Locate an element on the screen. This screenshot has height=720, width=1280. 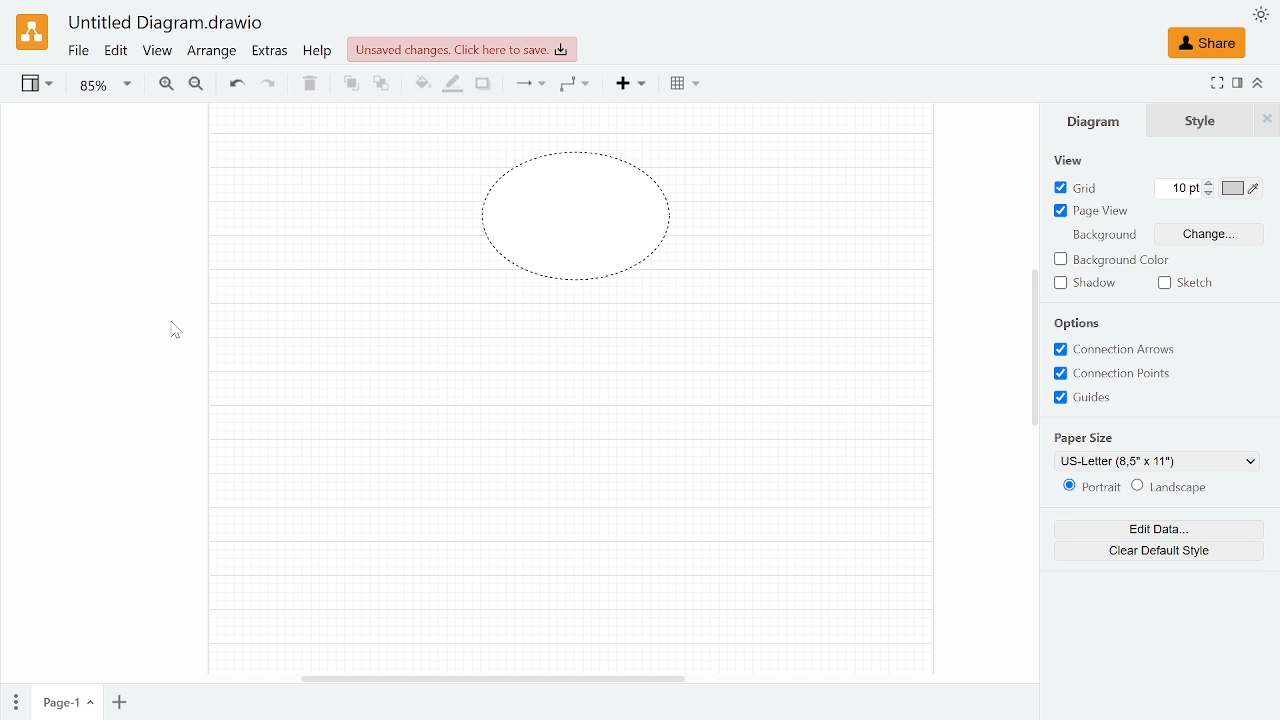
Current grid count is located at coordinates (1178, 189).